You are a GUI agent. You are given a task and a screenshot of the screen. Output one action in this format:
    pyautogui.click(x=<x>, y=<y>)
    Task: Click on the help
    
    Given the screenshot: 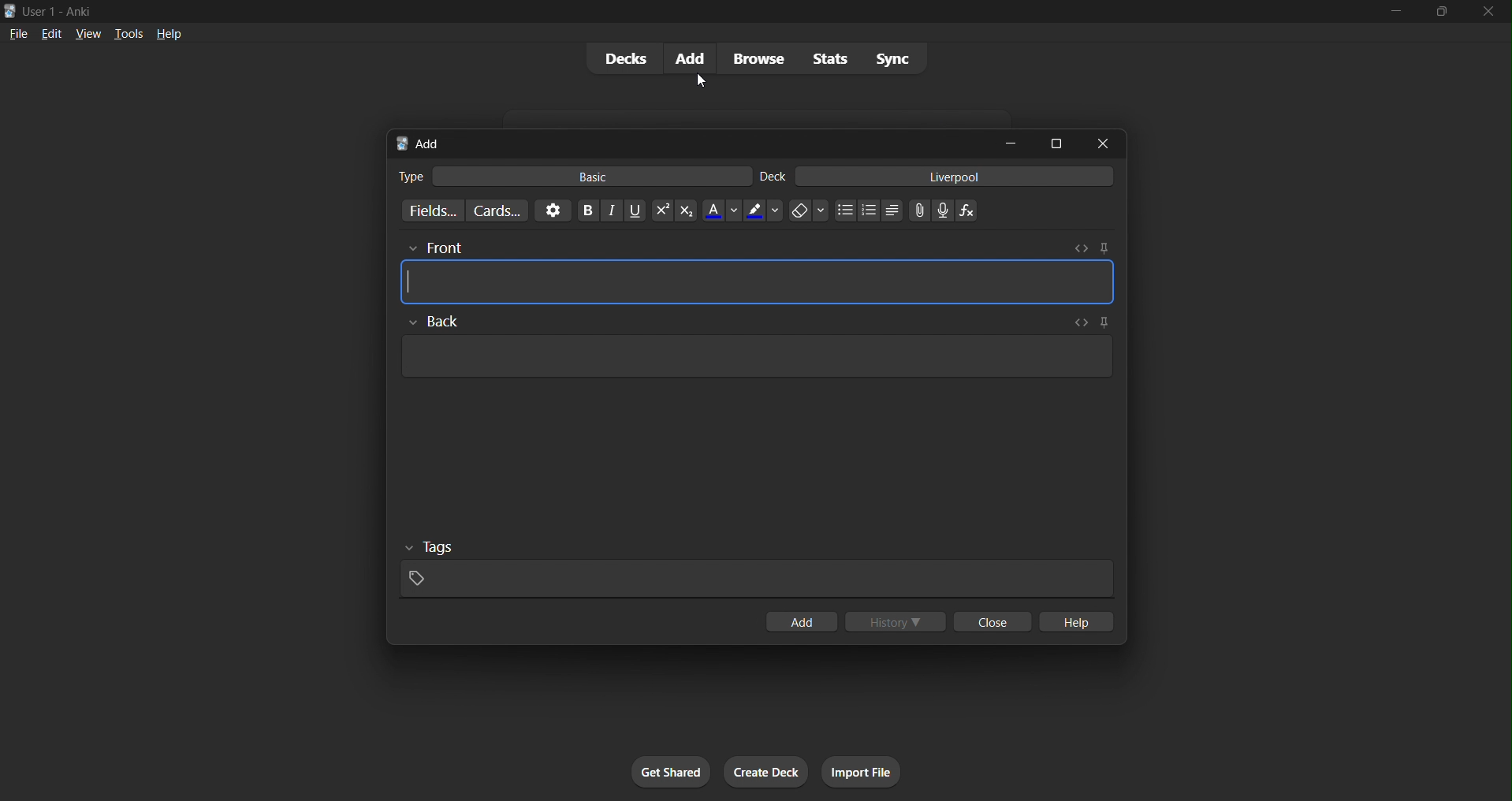 What is the action you would take?
    pyautogui.click(x=1078, y=621)
    